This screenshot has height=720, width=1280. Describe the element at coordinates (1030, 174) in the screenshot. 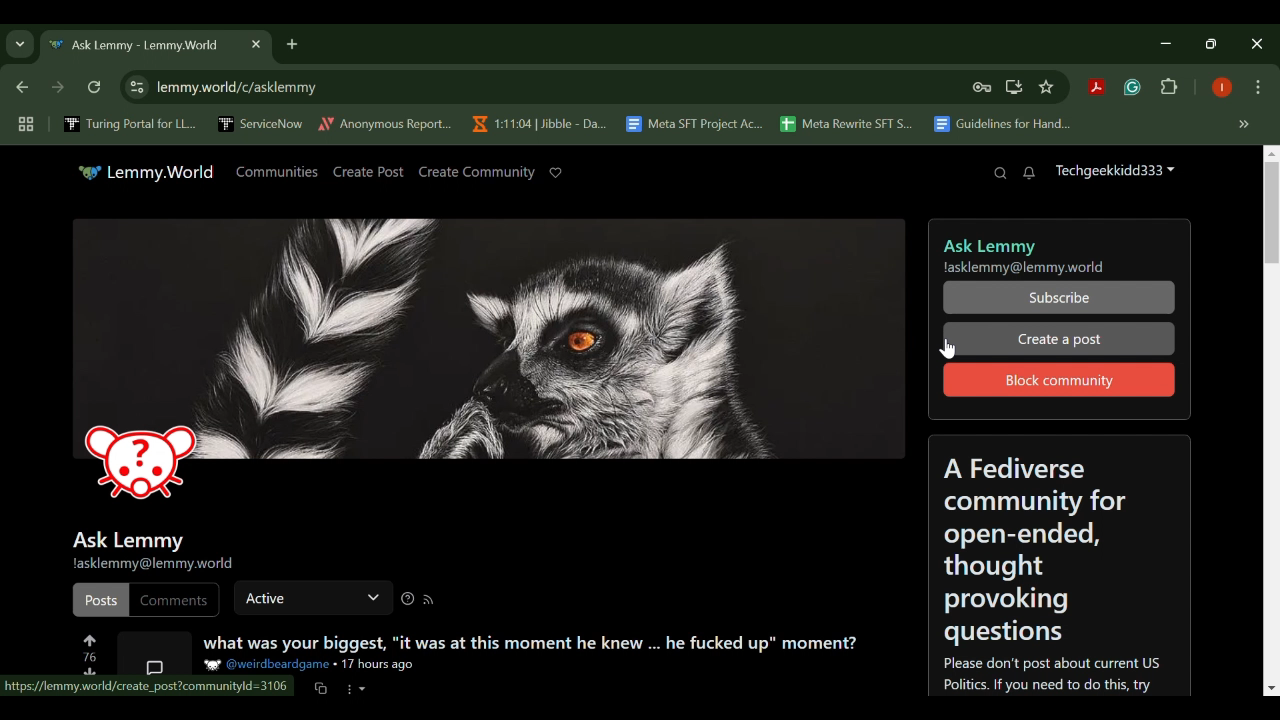

I see `Notifications` at that location.